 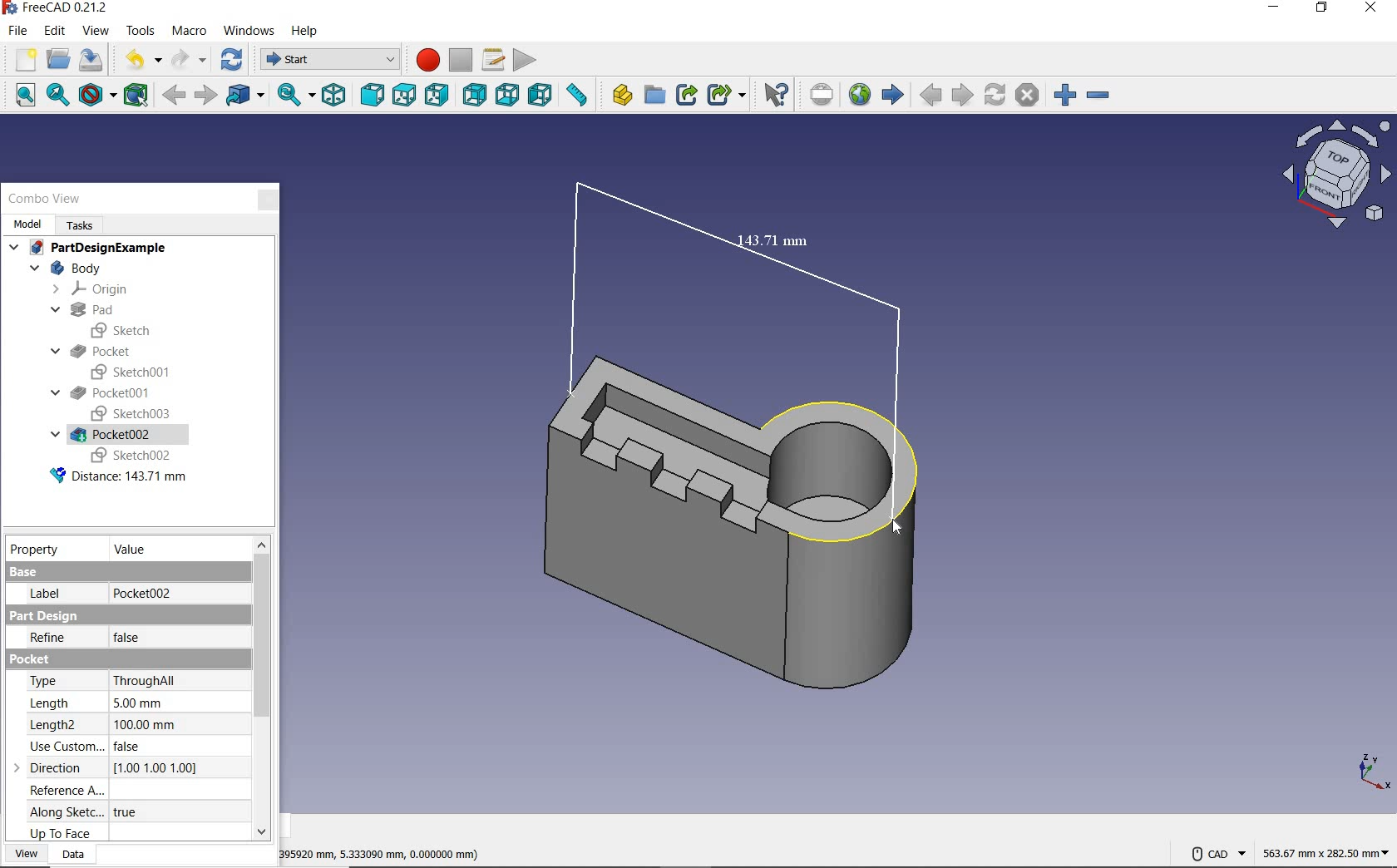 I want to click on back, so click(x=175, y=96).